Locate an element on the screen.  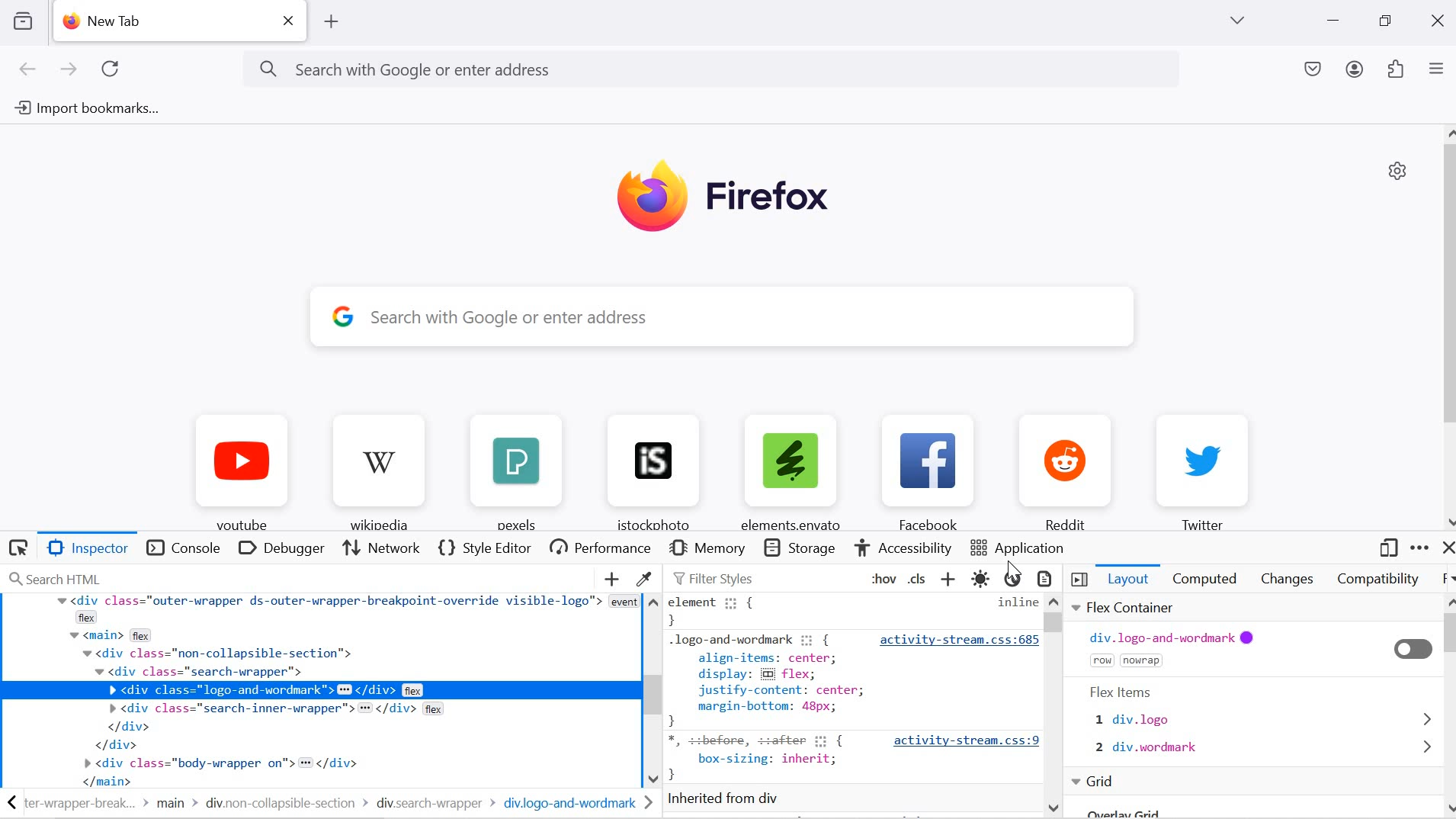
logo-and-wordmark ii {align-items: center;display: & flex;Jjustify-content: centermargin-bottom: 48px;} is located at coordinates (768, 679).